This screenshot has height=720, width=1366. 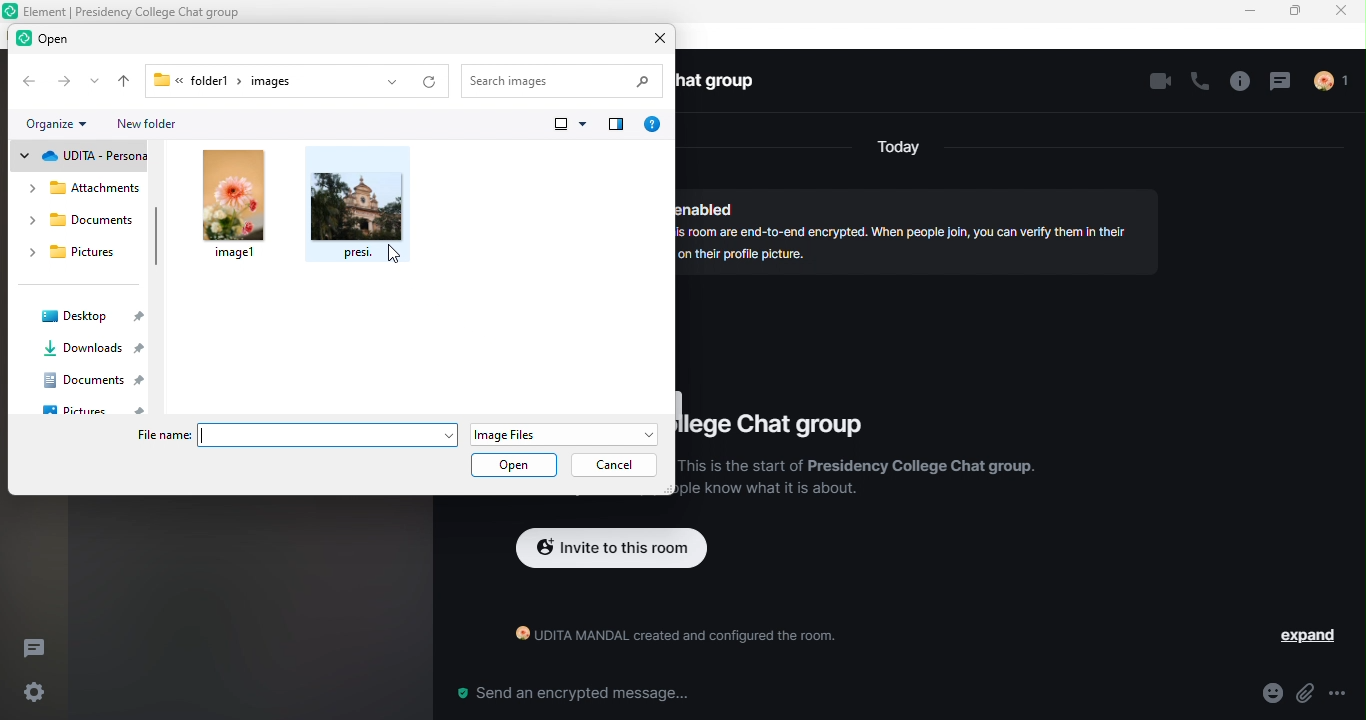 What do you see at coordinates (612, 550) in the screenshot?
I see `invited to this room` at bounding box center [612, 550].